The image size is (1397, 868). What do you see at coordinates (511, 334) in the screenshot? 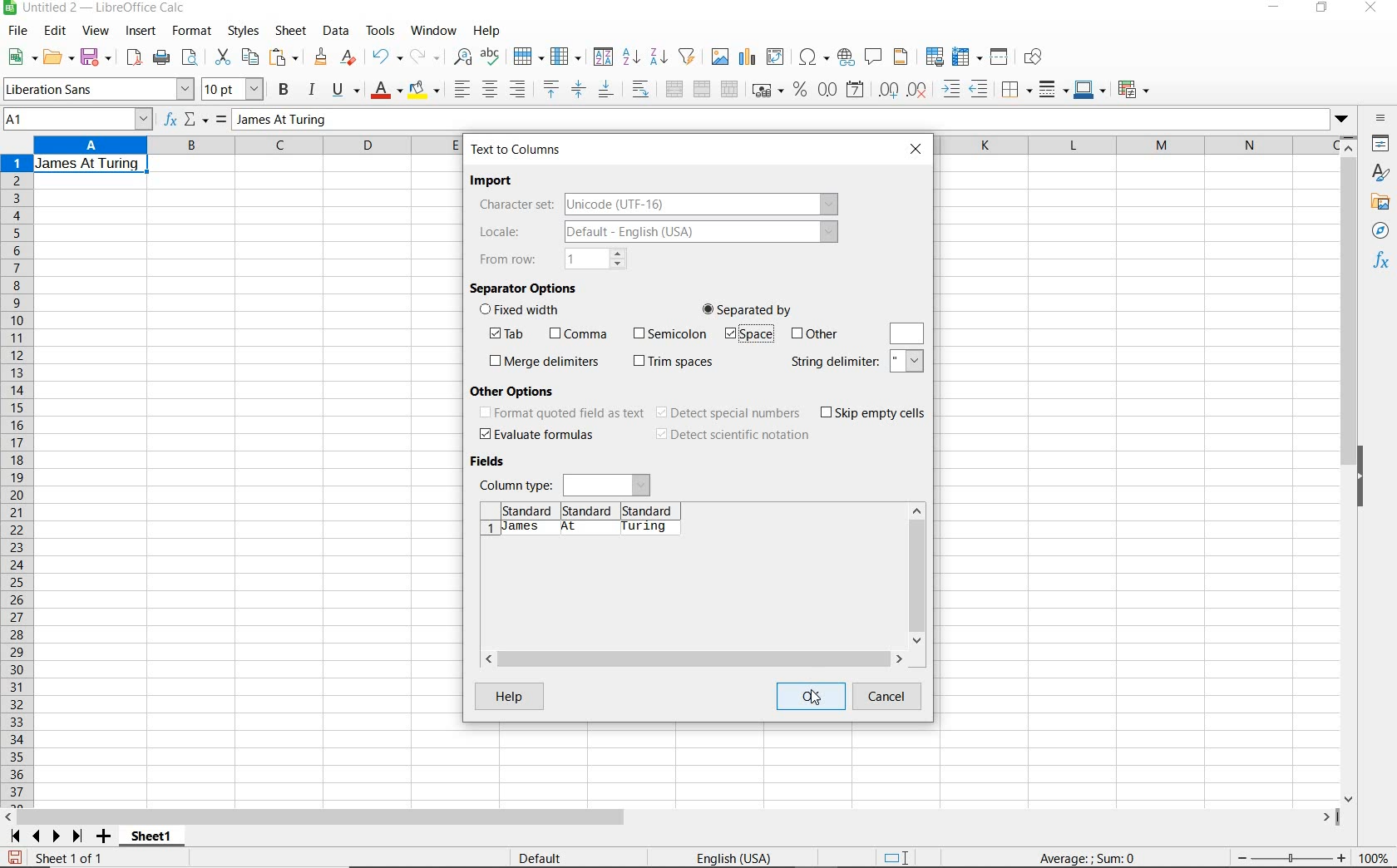
I see `tab` at bounding box center [511, 334].